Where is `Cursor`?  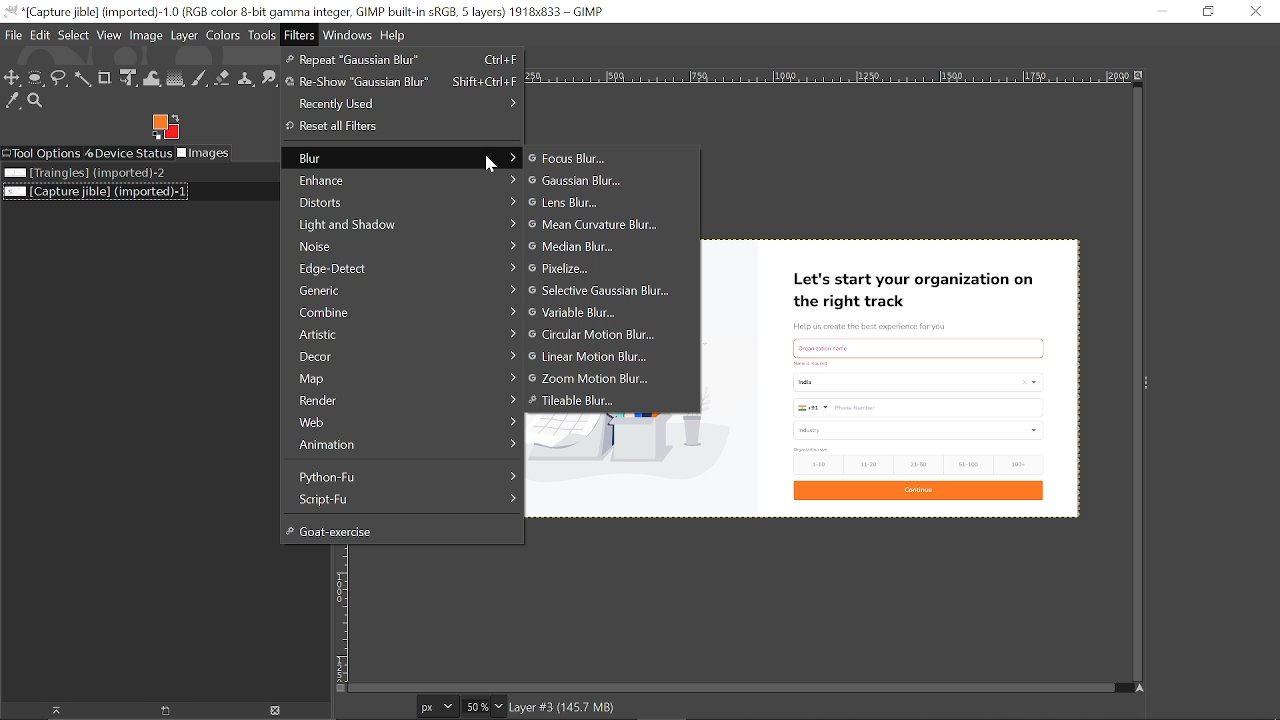
Cursor is located at coordinates (492, 164).